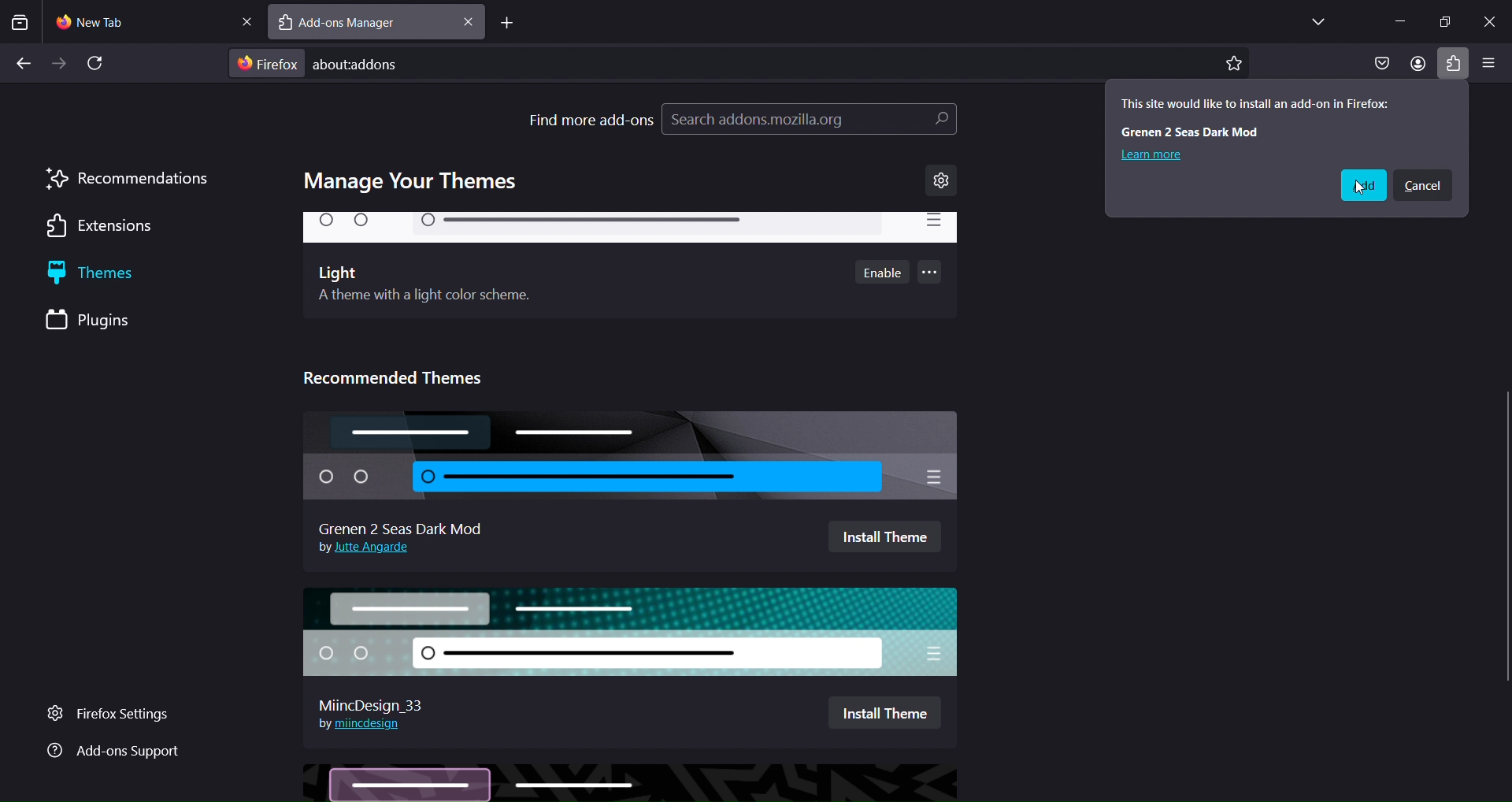  I want to click on minx design 33, so click(637, 631).